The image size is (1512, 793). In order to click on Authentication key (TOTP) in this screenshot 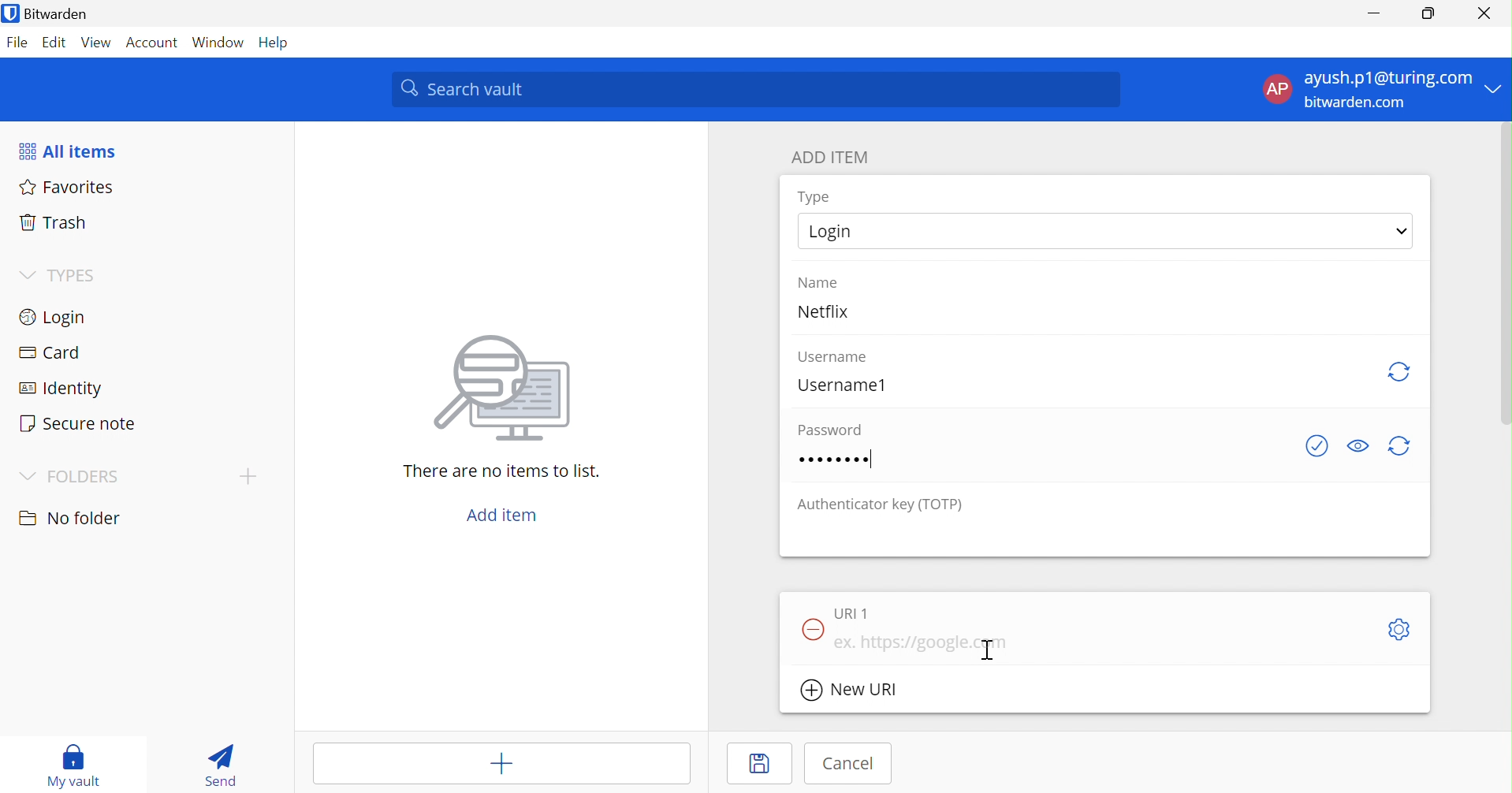, I will do `click(880, 506)`.